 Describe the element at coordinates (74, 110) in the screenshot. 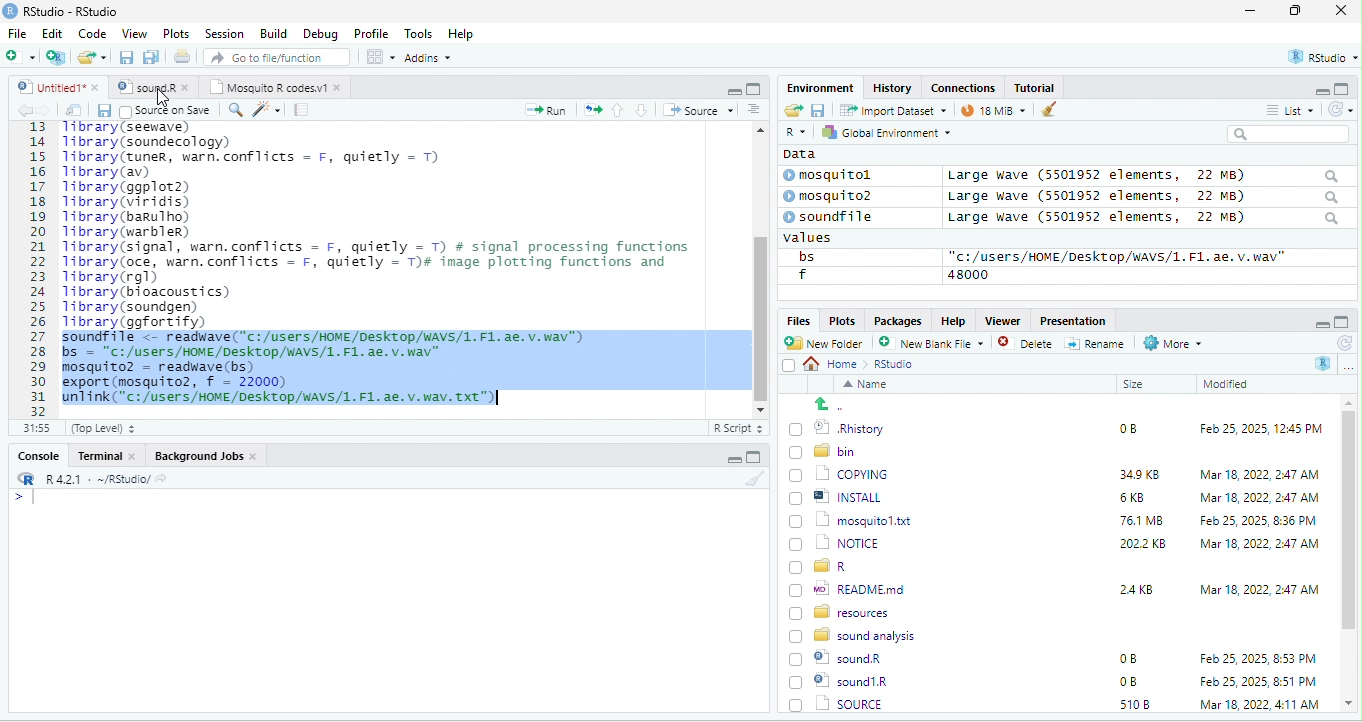

I see `open` at that location.